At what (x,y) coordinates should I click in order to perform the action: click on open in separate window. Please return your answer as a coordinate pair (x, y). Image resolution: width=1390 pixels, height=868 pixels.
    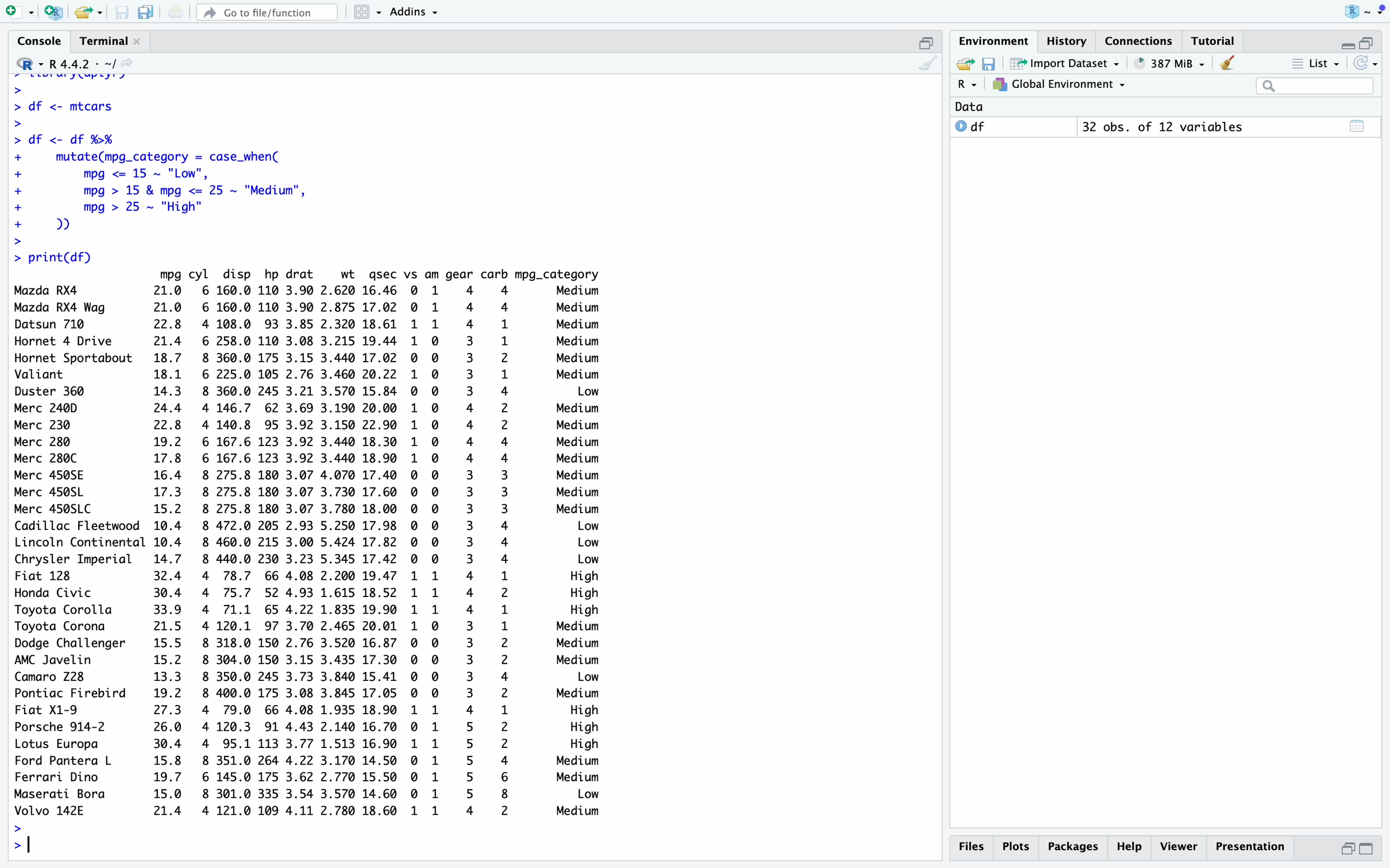
    Looking at the image, I should click on (1347, 849).